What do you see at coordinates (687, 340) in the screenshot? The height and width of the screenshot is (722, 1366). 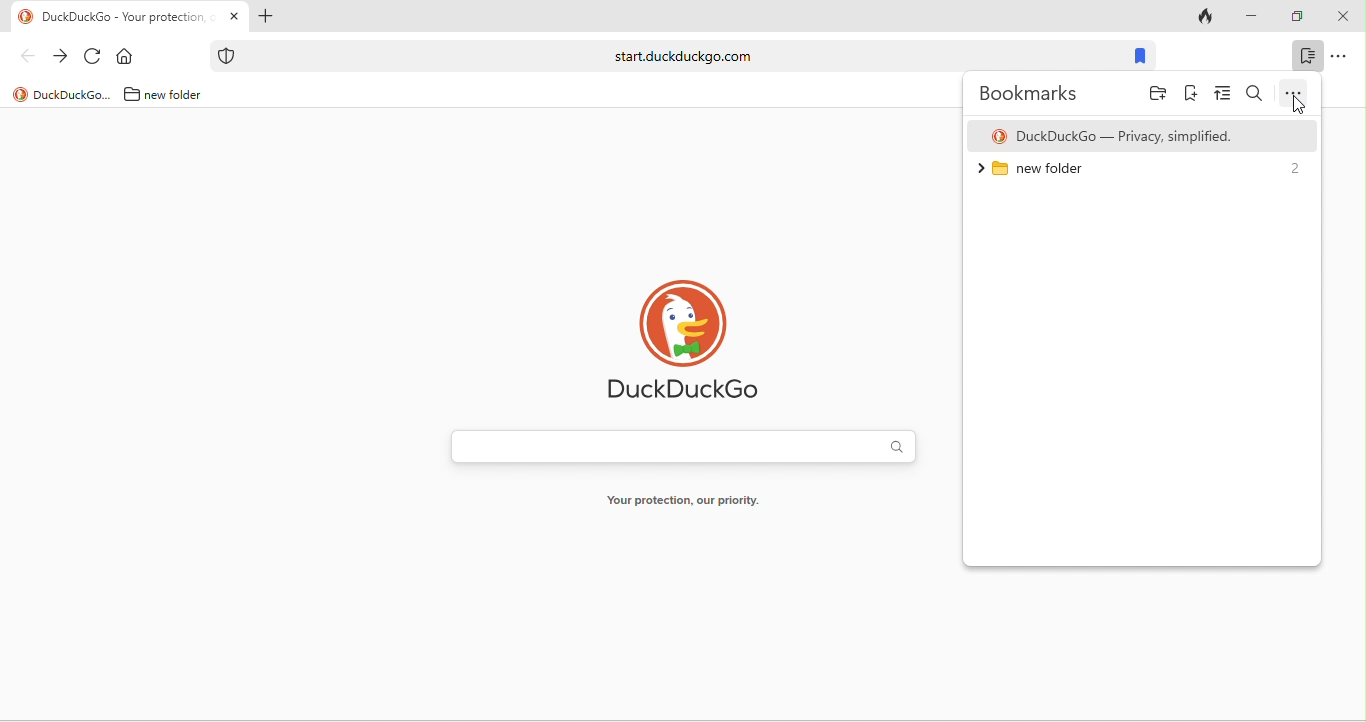 I see `duck duck go logo` at bounding box center [687, 340].